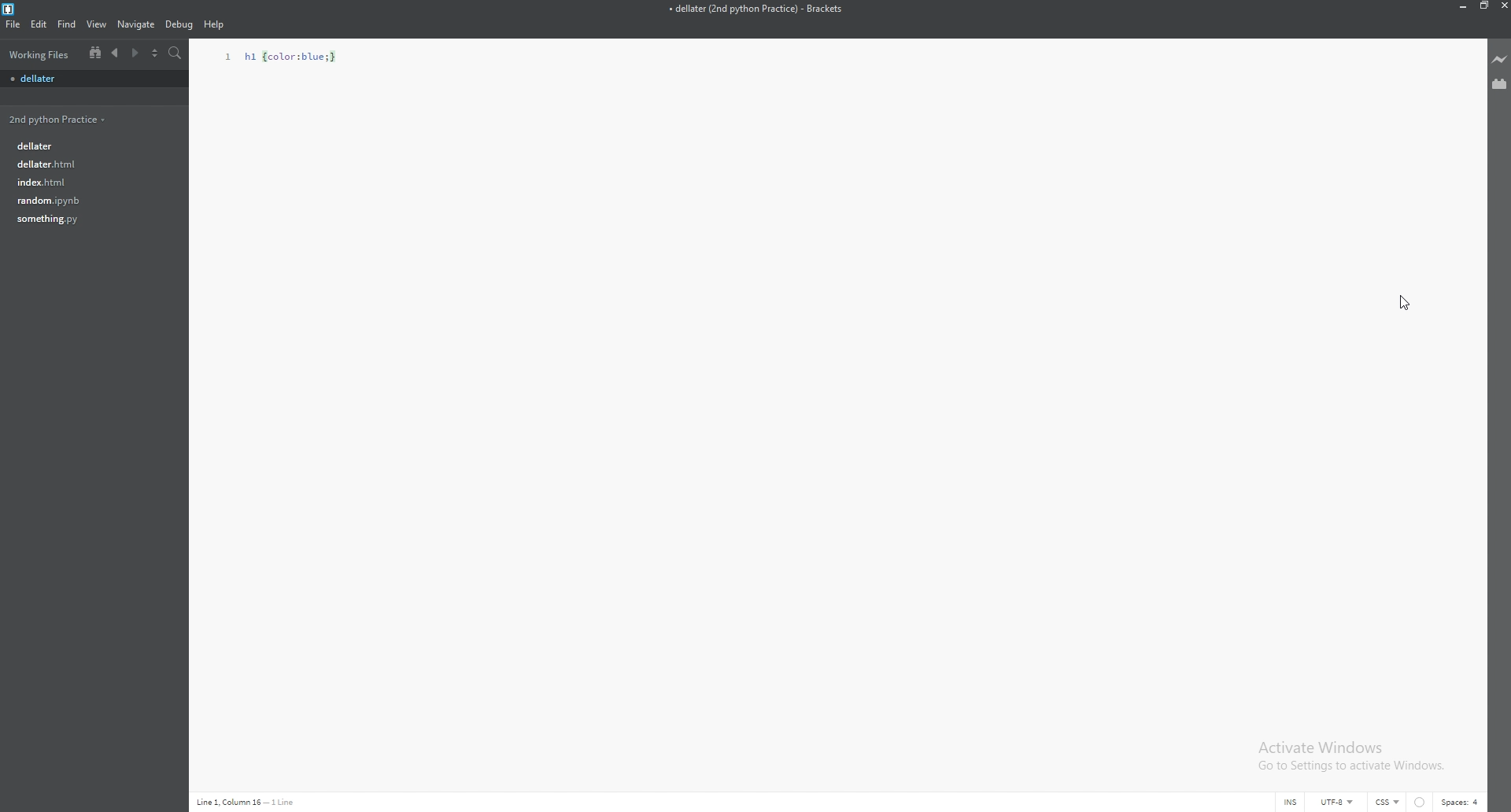 The height and width of the screenshot is (812, 1511). What do you see at coordinates (286, 56) in the screenshot?
I see `code` at bounding box center [286, 56].